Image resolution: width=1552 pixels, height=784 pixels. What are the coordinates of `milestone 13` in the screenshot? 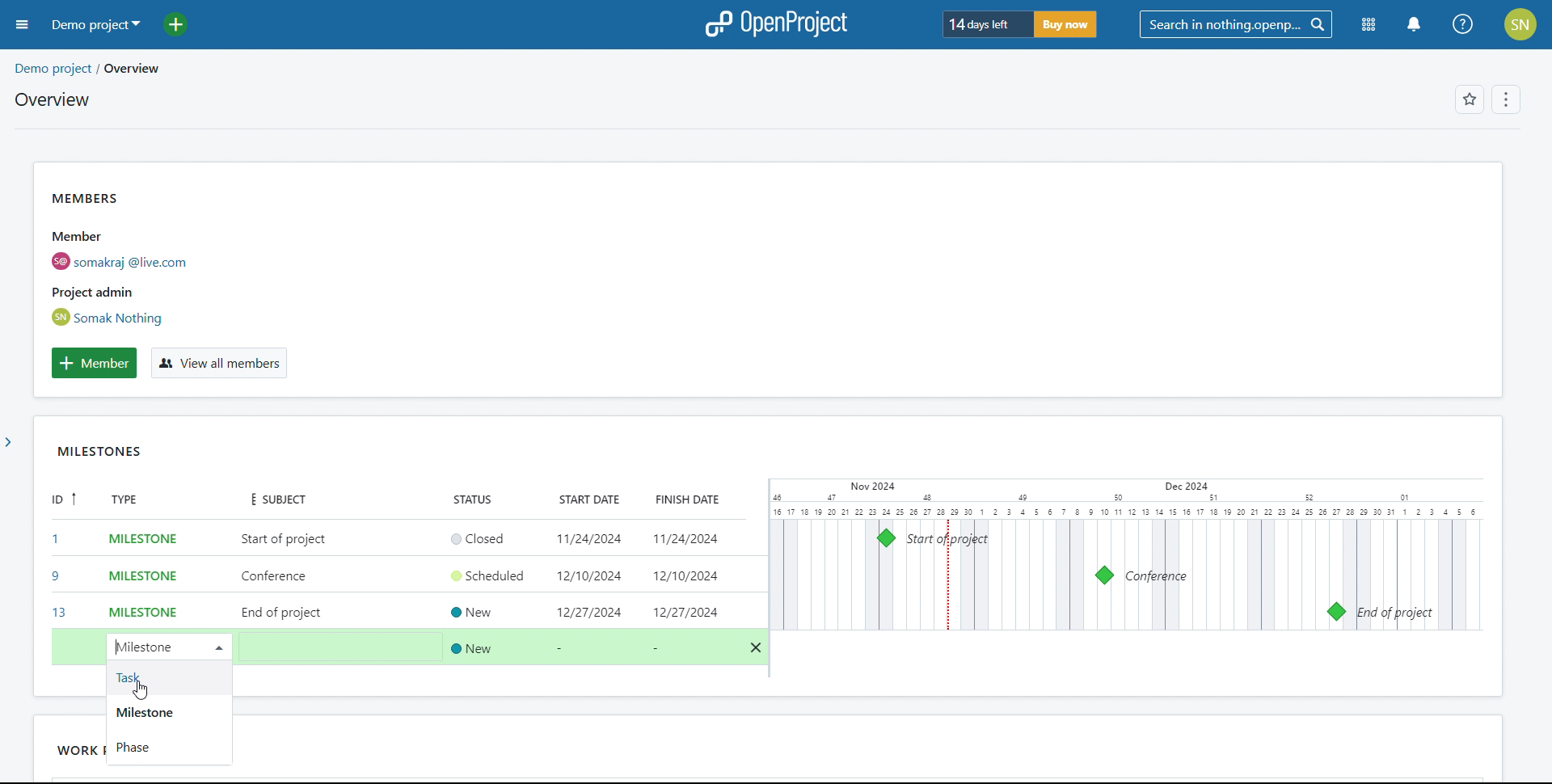 It's located at (1335, 612).